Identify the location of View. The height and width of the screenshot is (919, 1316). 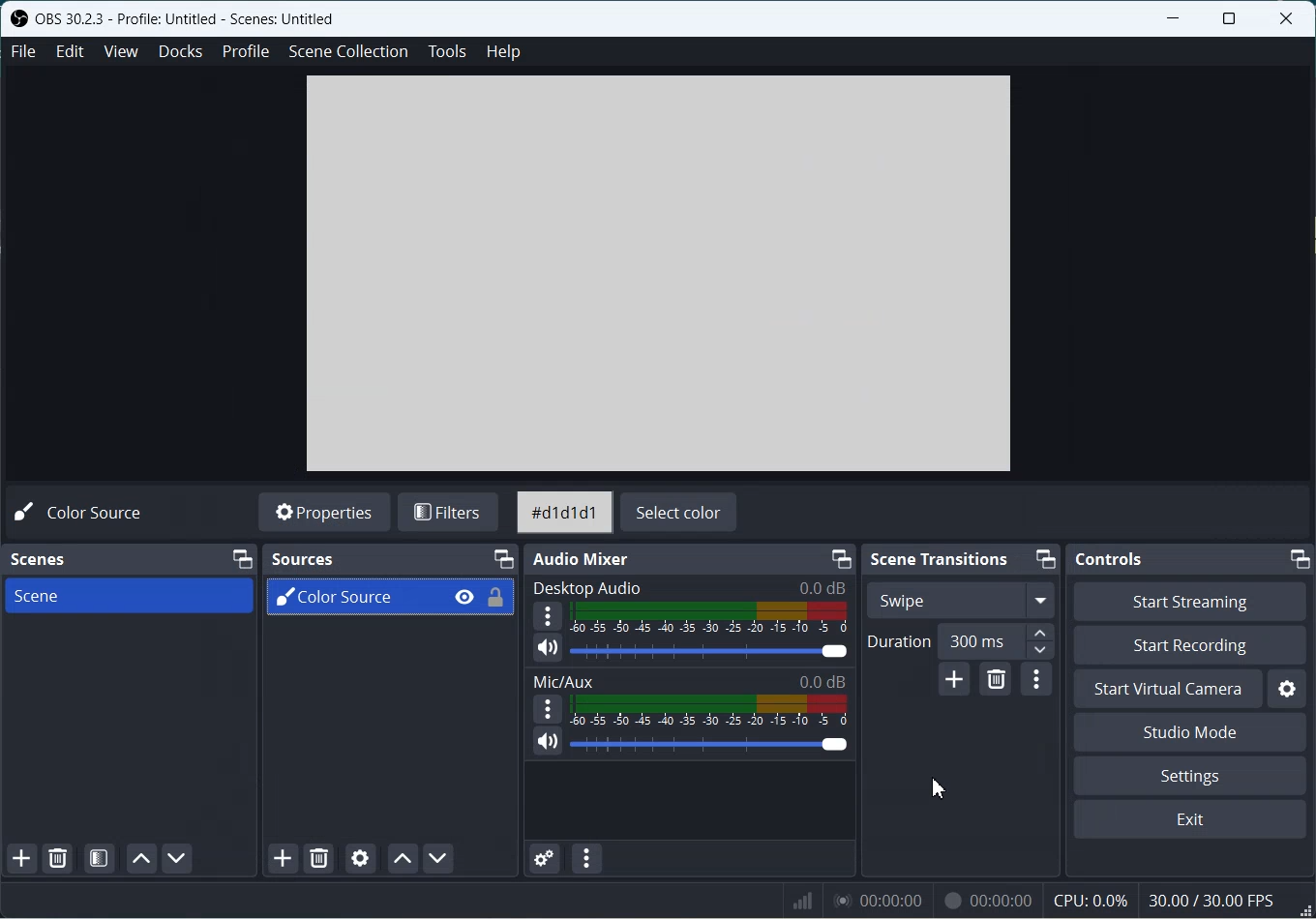
(121, 50).